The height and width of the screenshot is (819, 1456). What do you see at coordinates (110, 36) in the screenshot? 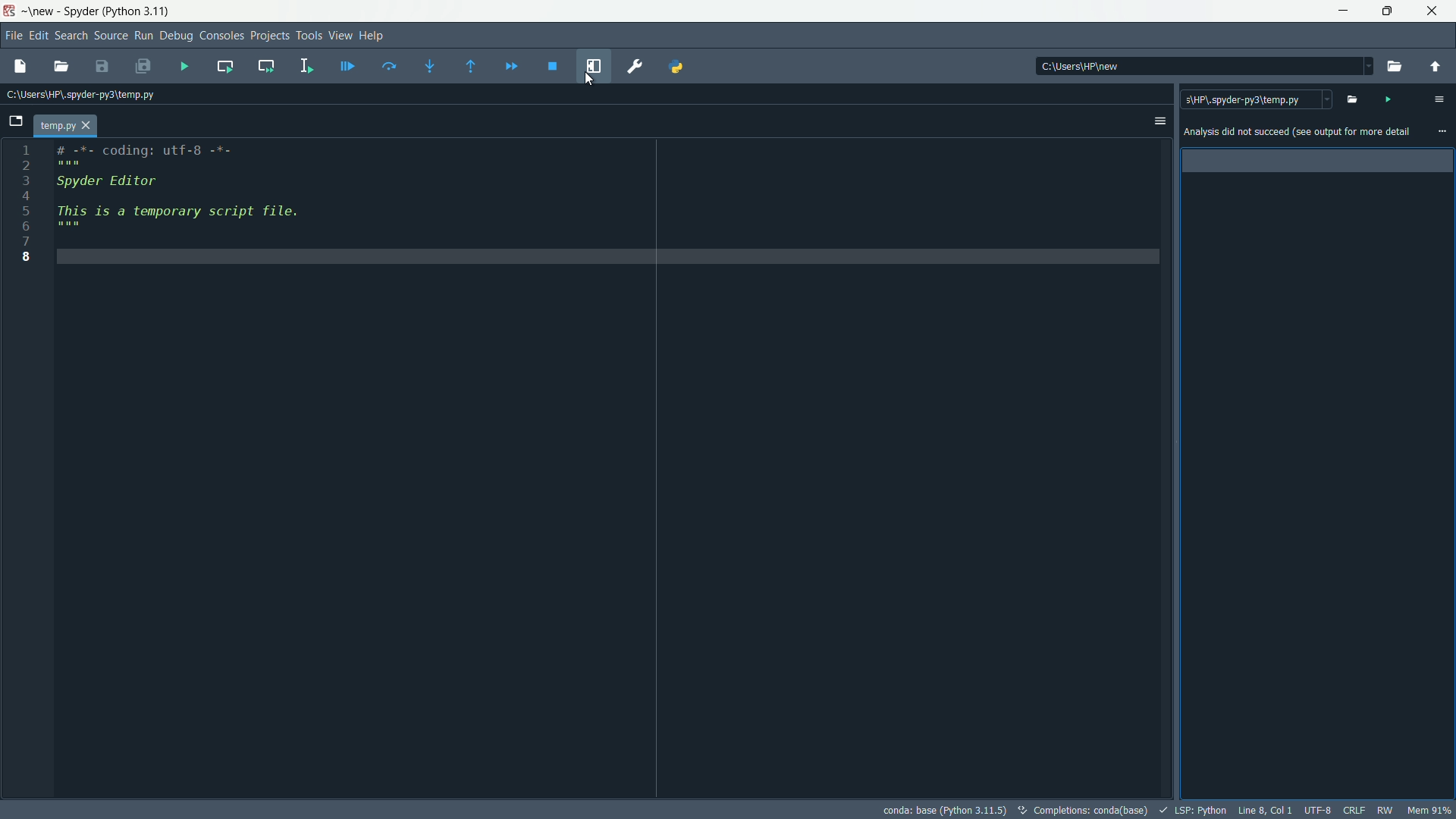
I see `source menu` at bounding box center [110, 36].